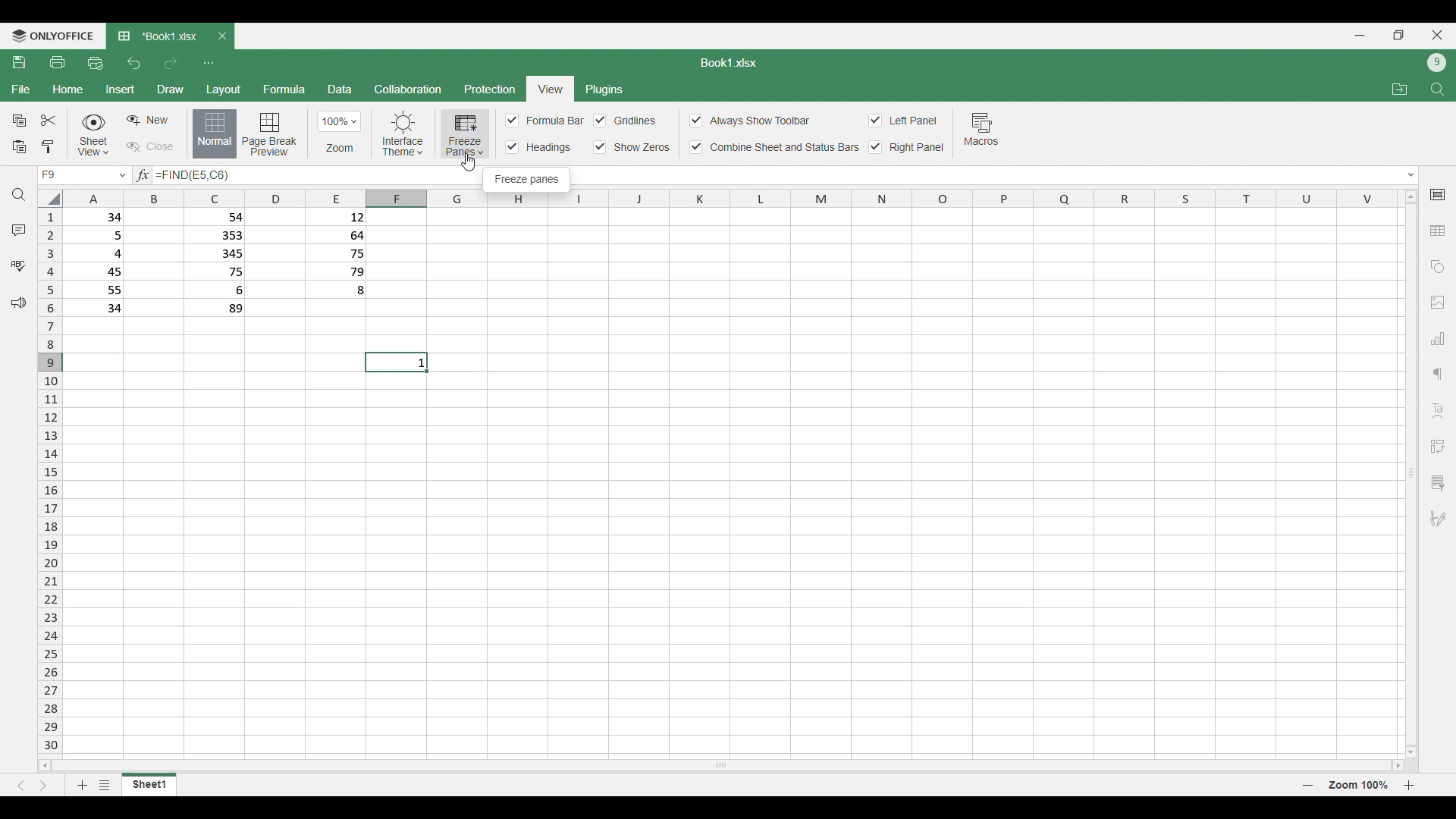 This screenshot has width=1456, height=819. What do you see at coordinates (539, 148) in the screenshot?
I see `` at bounding box center [539, 148].